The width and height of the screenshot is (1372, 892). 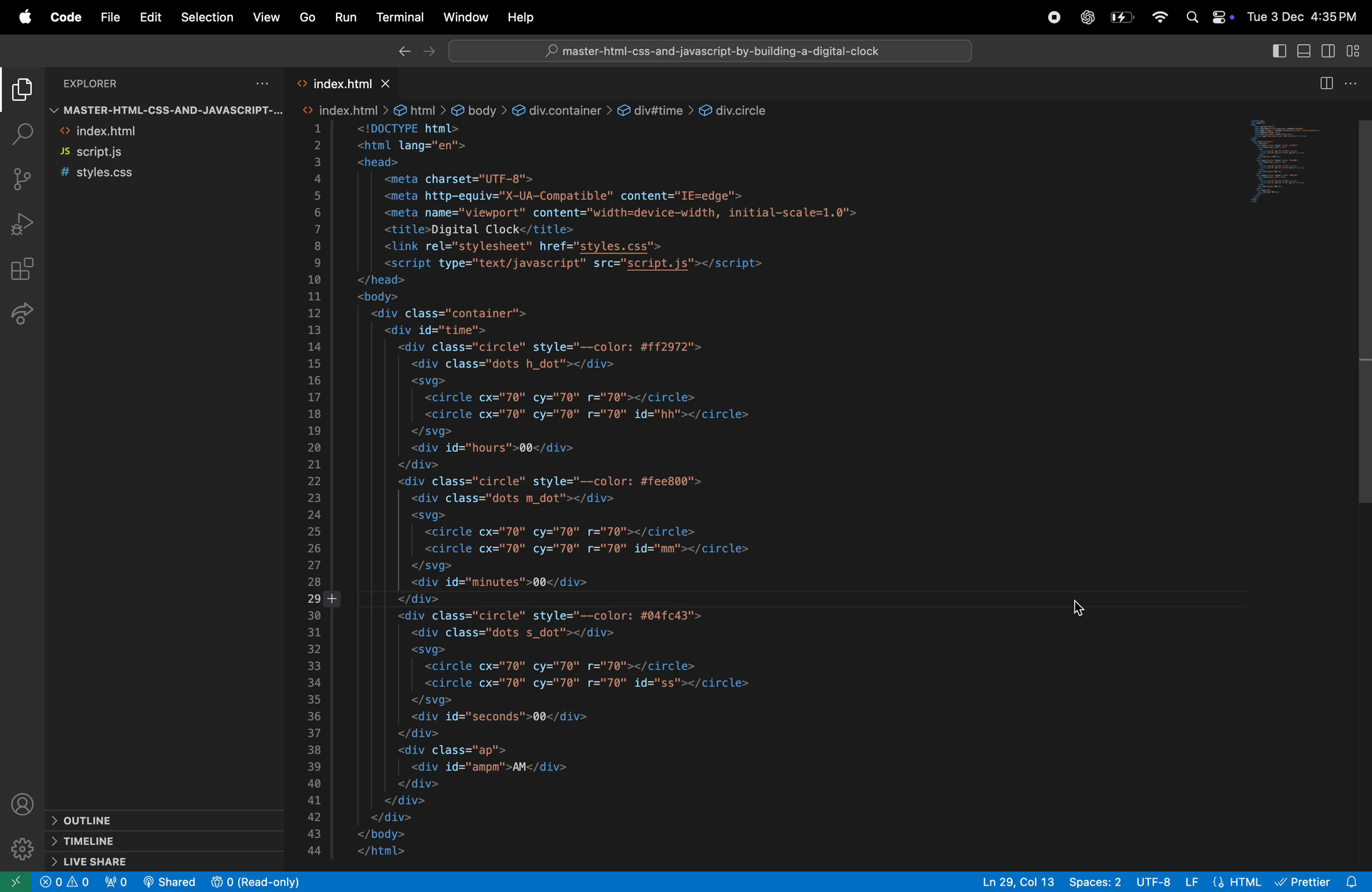 What do you see at coordinates (259, 80) in the screenshot?
I see `options` at bounding box center [259, 80].